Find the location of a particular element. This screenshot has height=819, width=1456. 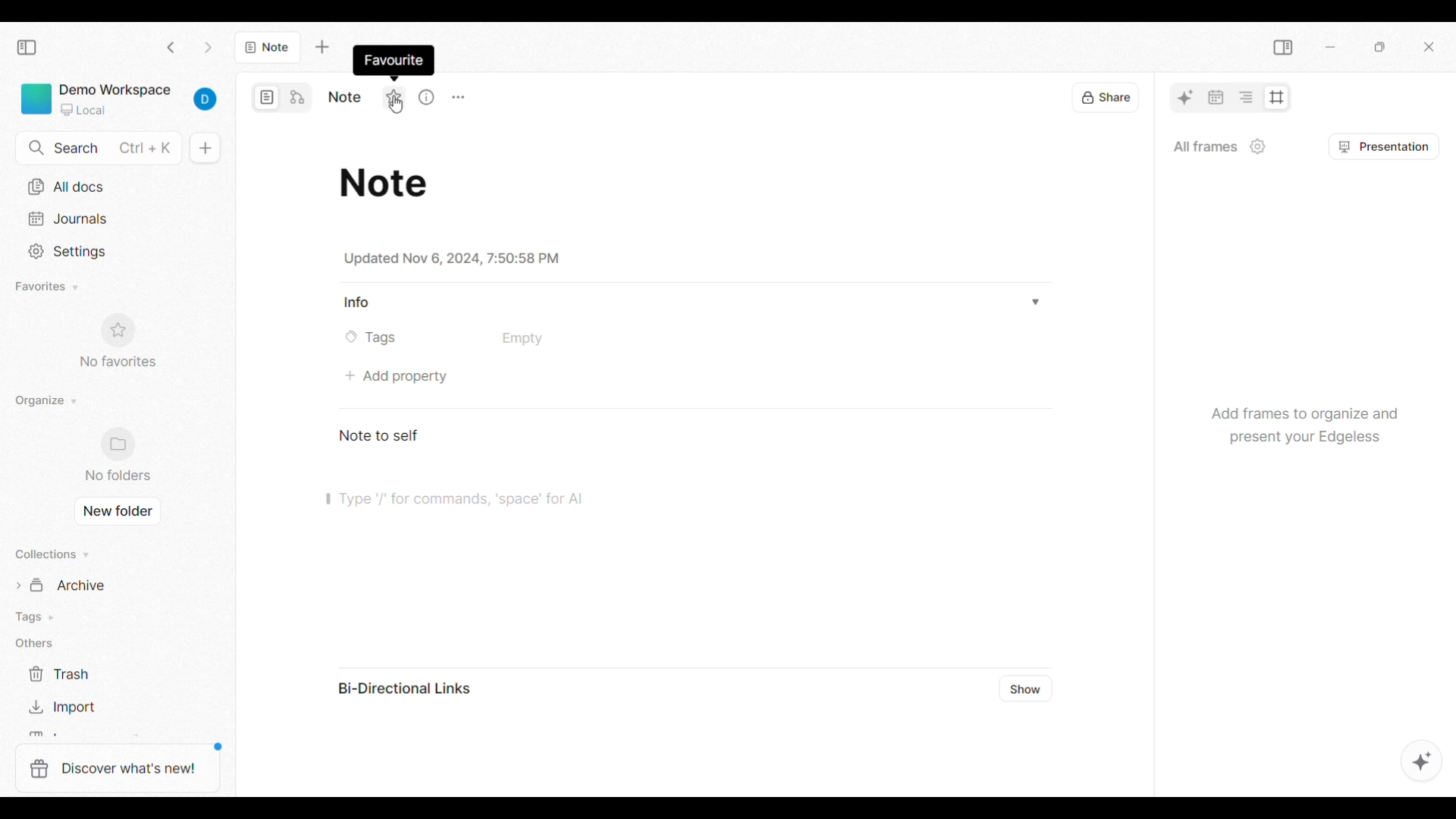

Ask AI is located at coordinates (1422, 761).